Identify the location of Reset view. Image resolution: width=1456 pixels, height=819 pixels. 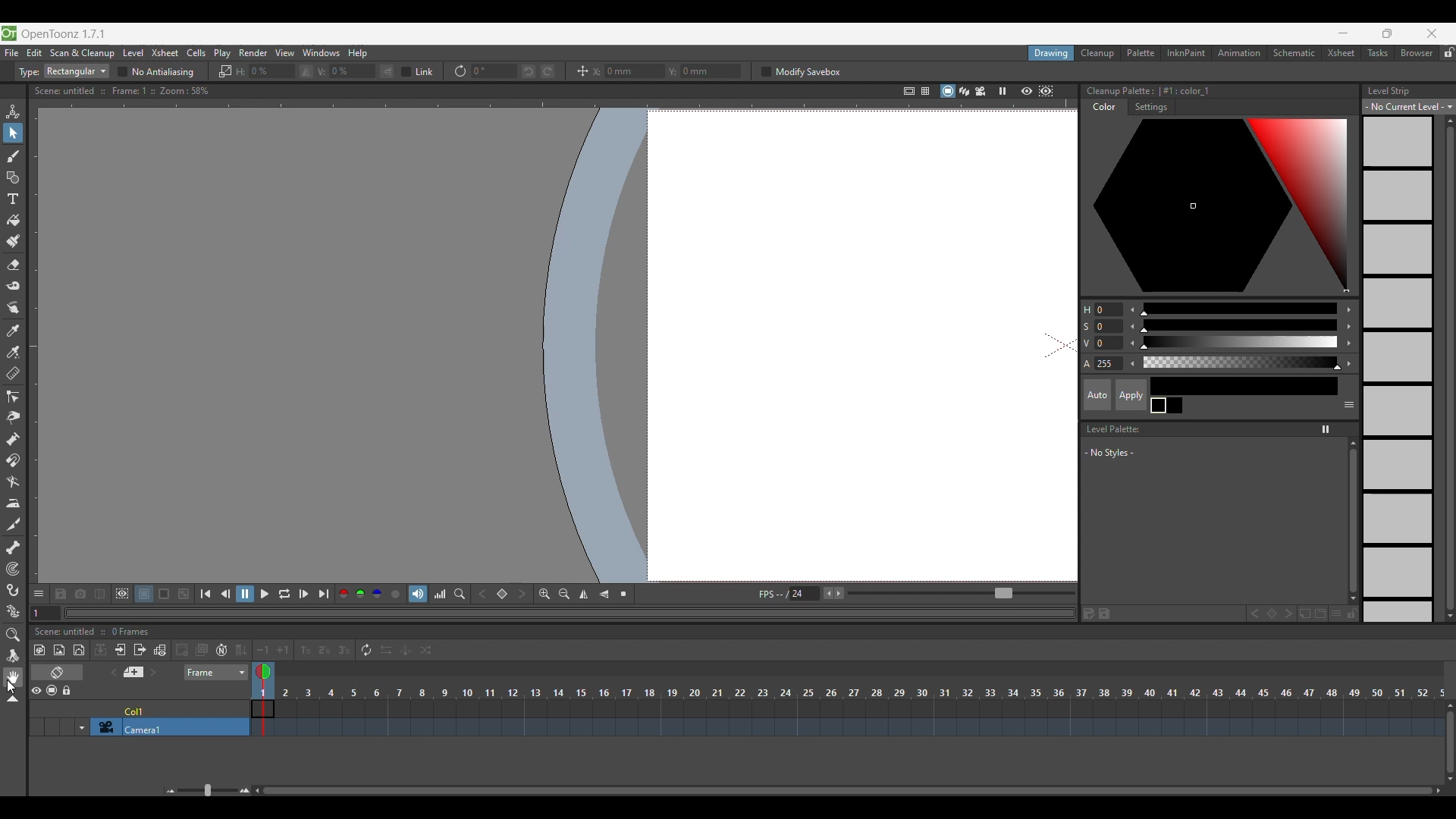
(623, 594).